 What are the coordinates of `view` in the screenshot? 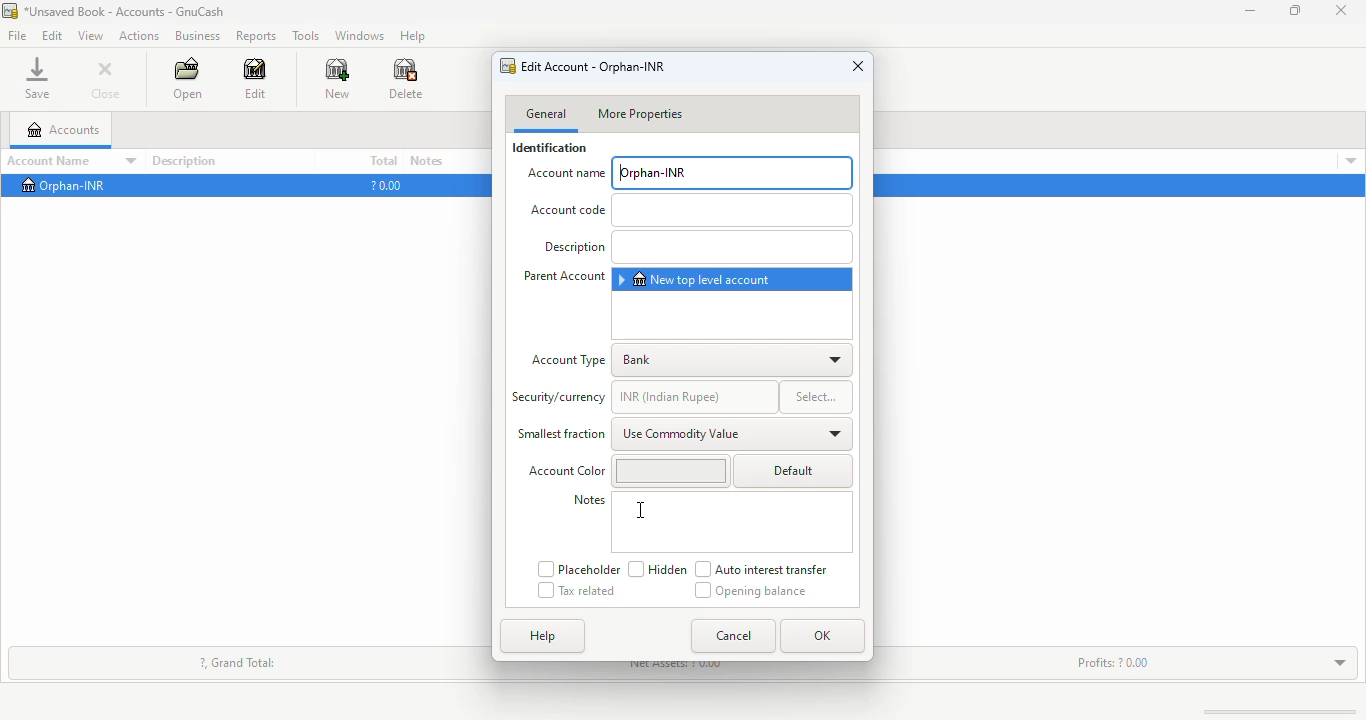 It's located at (90, 36).